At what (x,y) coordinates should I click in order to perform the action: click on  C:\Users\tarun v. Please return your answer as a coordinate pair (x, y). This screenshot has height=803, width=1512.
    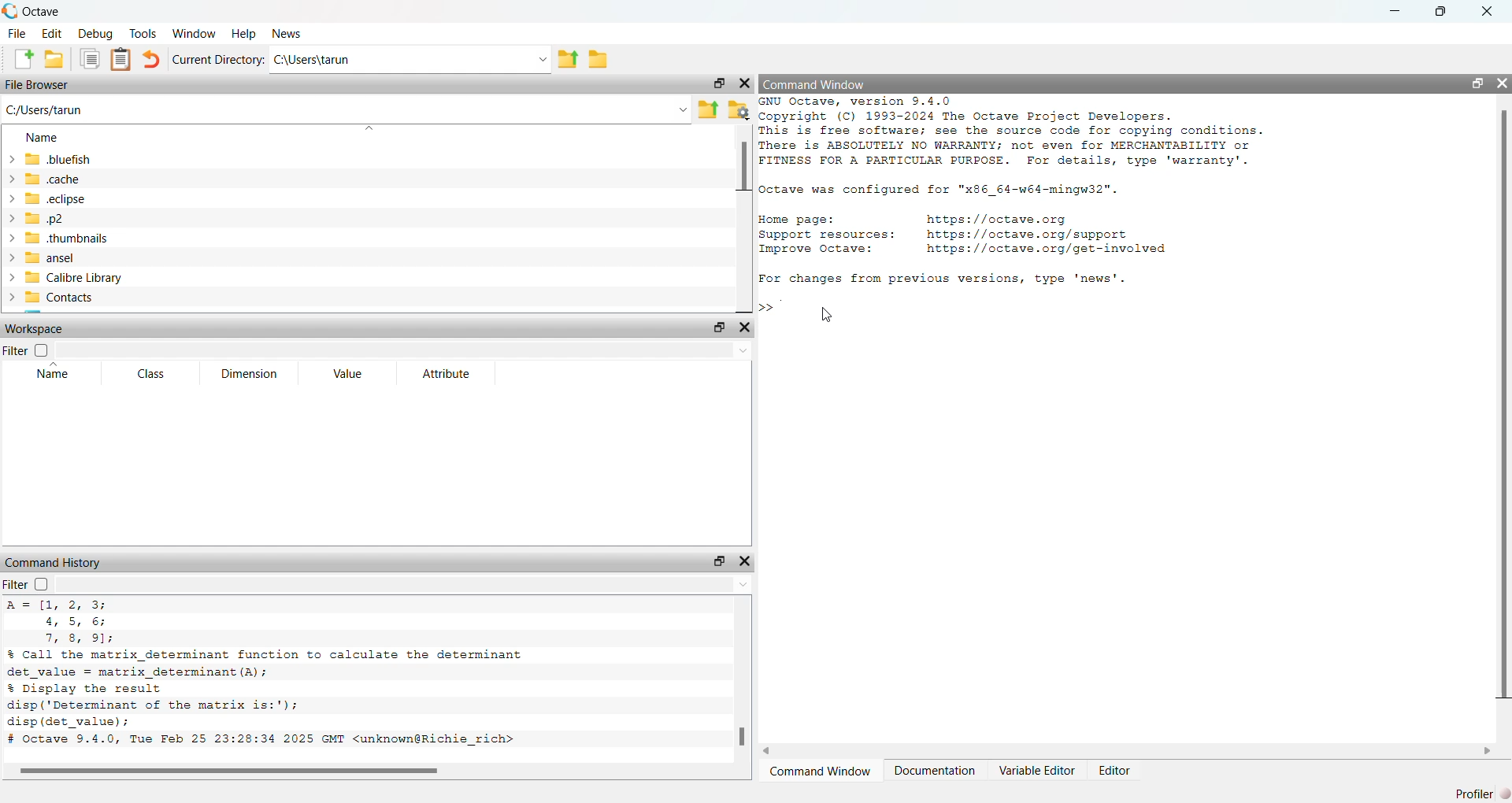
    Looking at the image, I should click on (410, 60).